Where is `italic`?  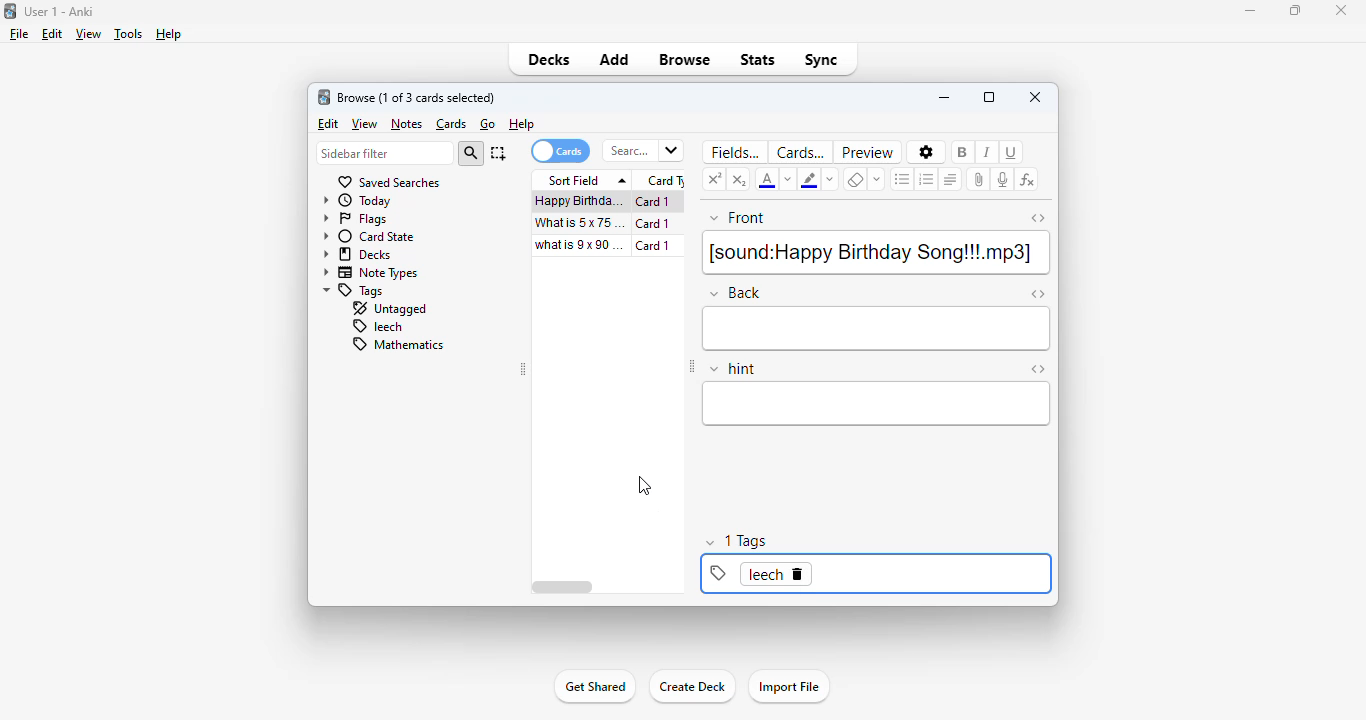
italic is located at coordinates (987, 151).